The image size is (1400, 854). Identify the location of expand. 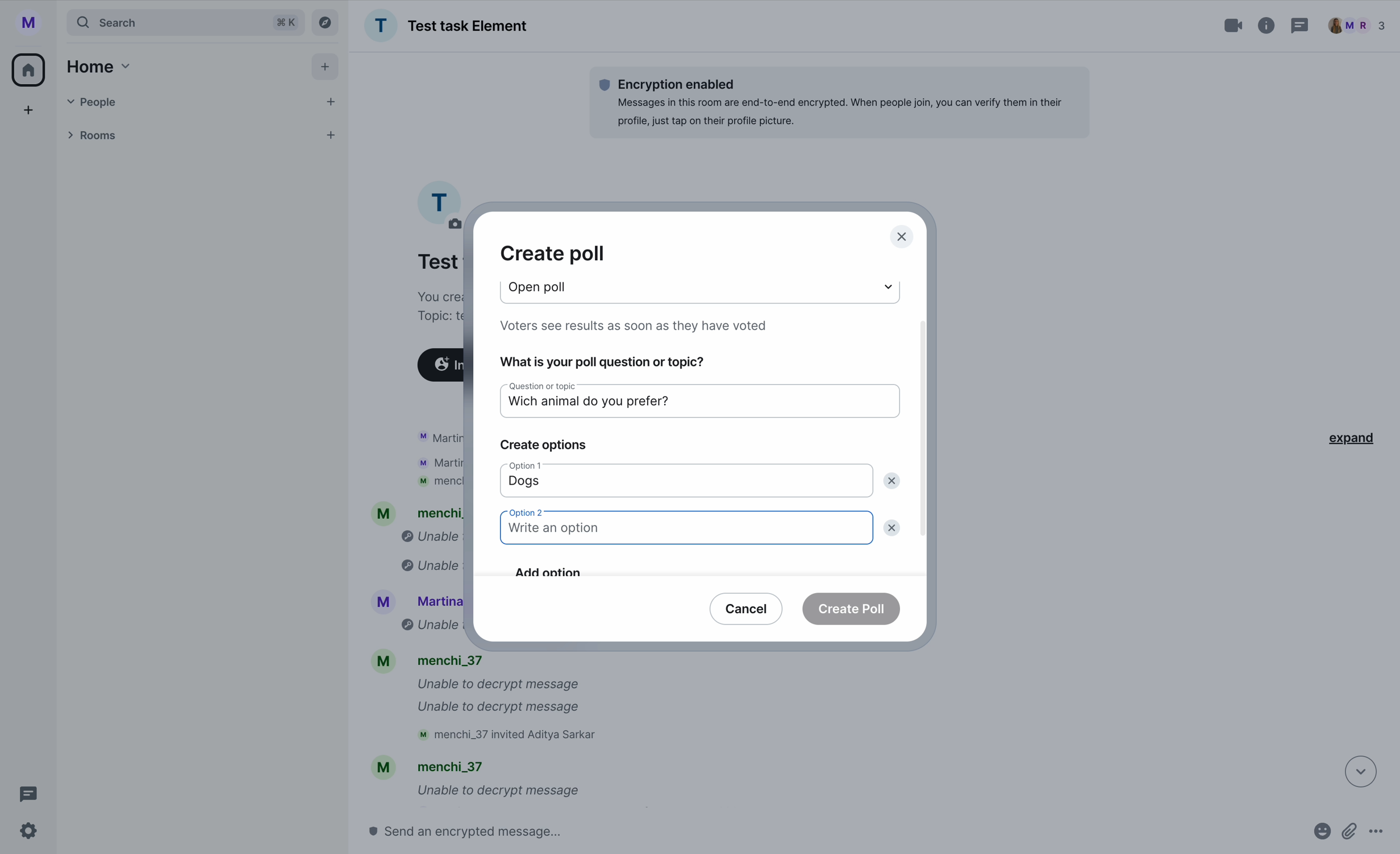
(1351, 439).